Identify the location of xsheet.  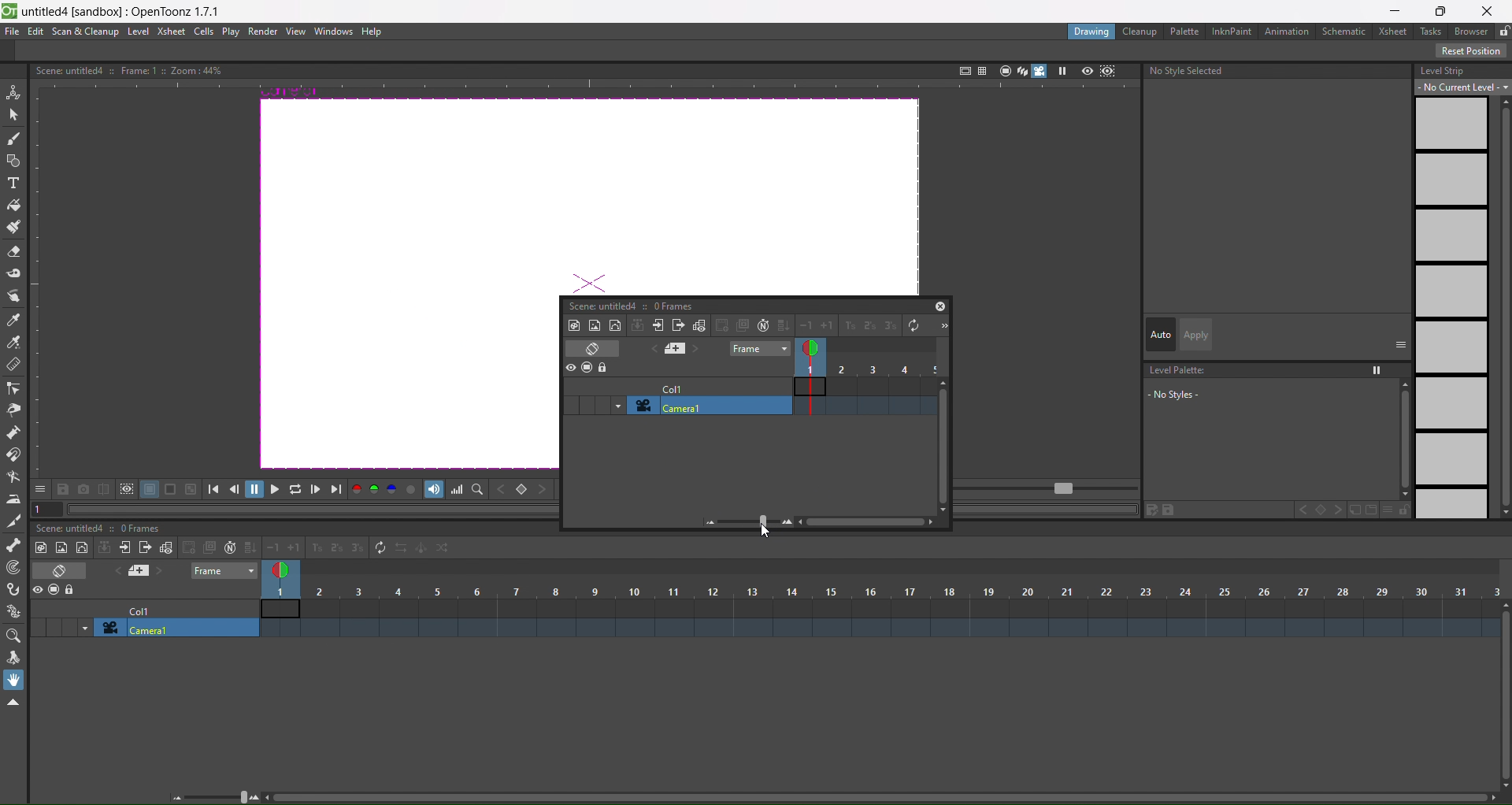
(1395, 32).